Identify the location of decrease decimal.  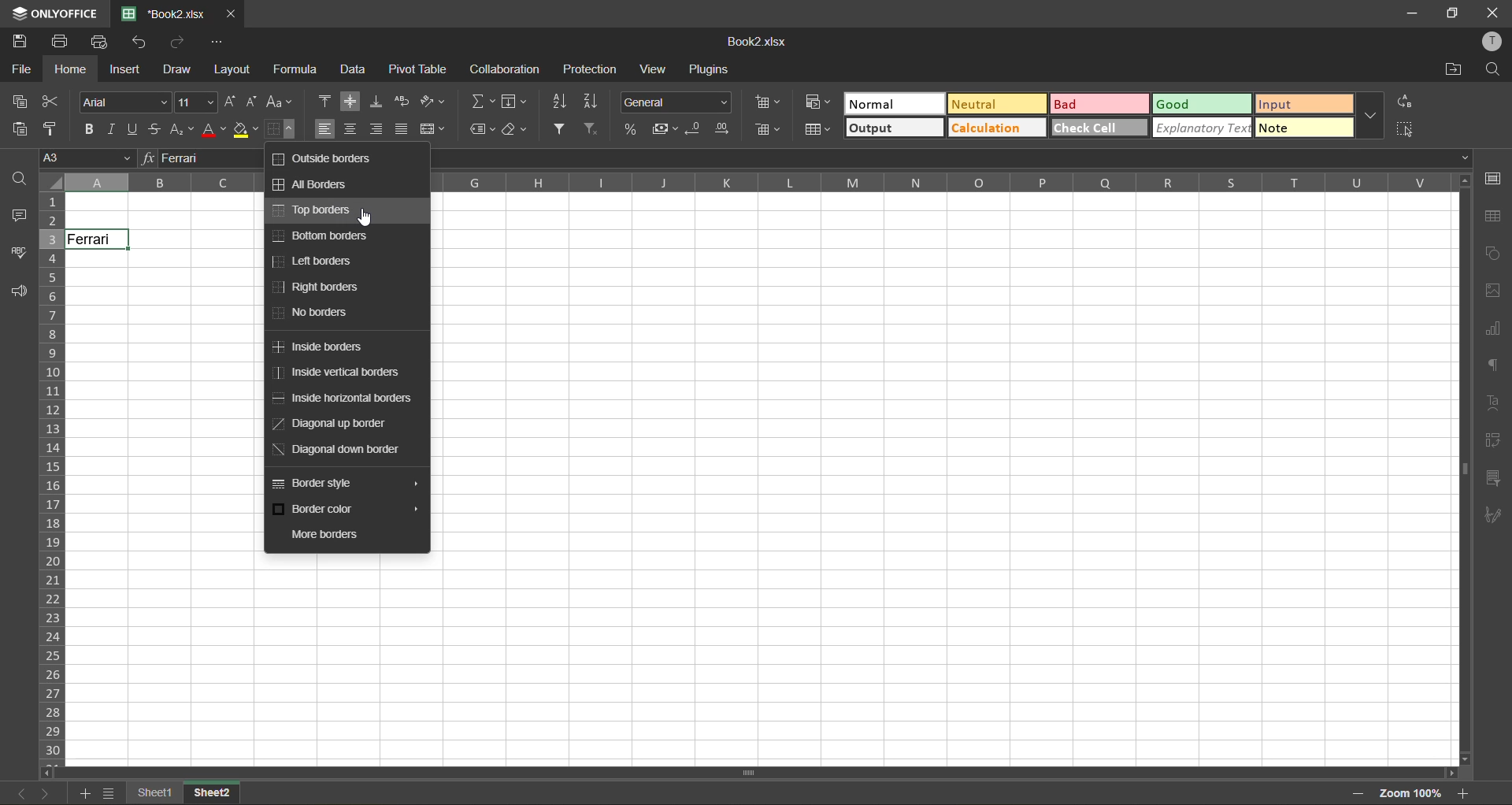
(691, 128).